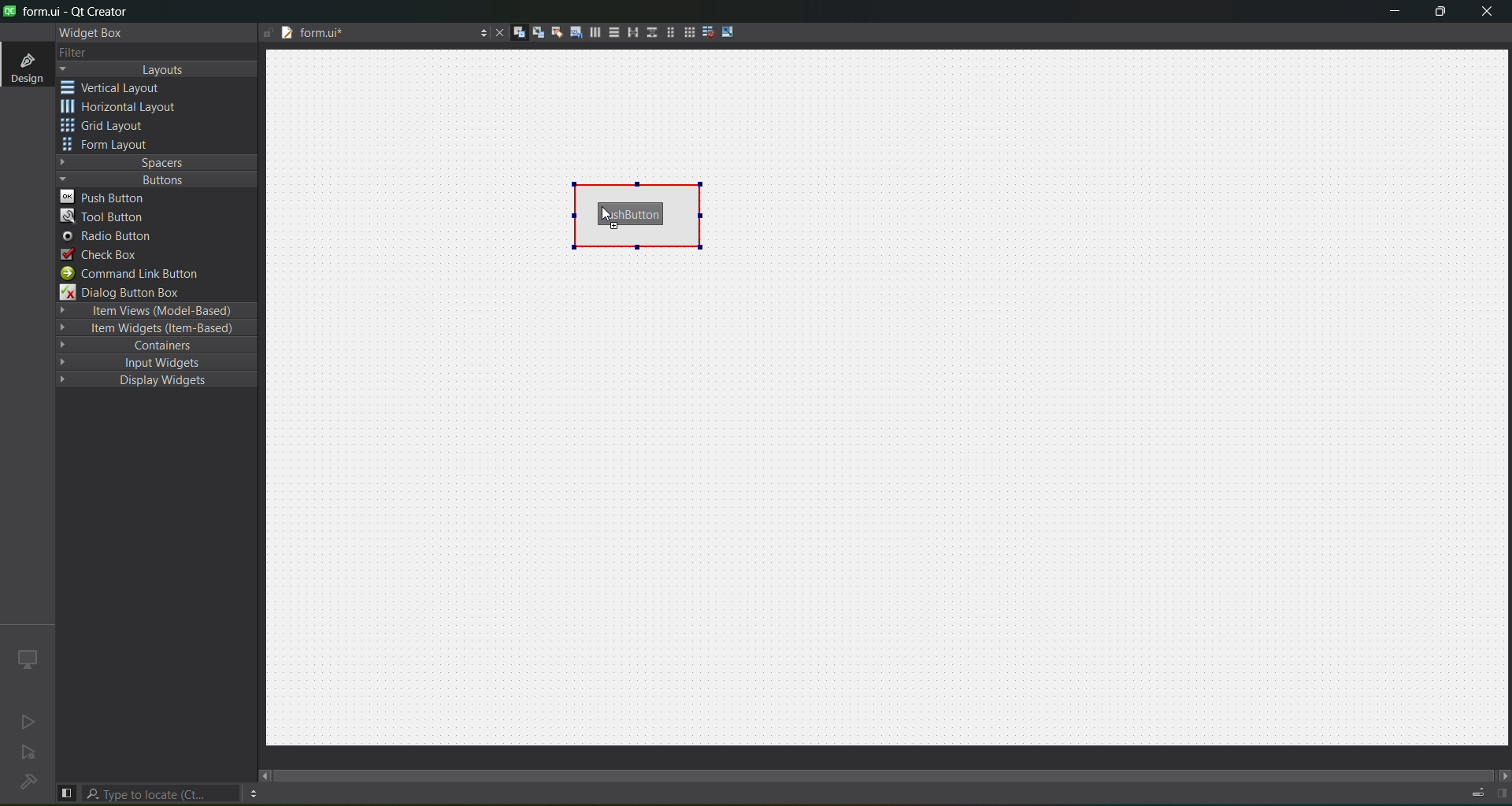 The width and height of the screenshot is (1512, 806). What do you see at coordinates (253, 793) in the screenshot?
I see `options` at bounding box center [253, 793].